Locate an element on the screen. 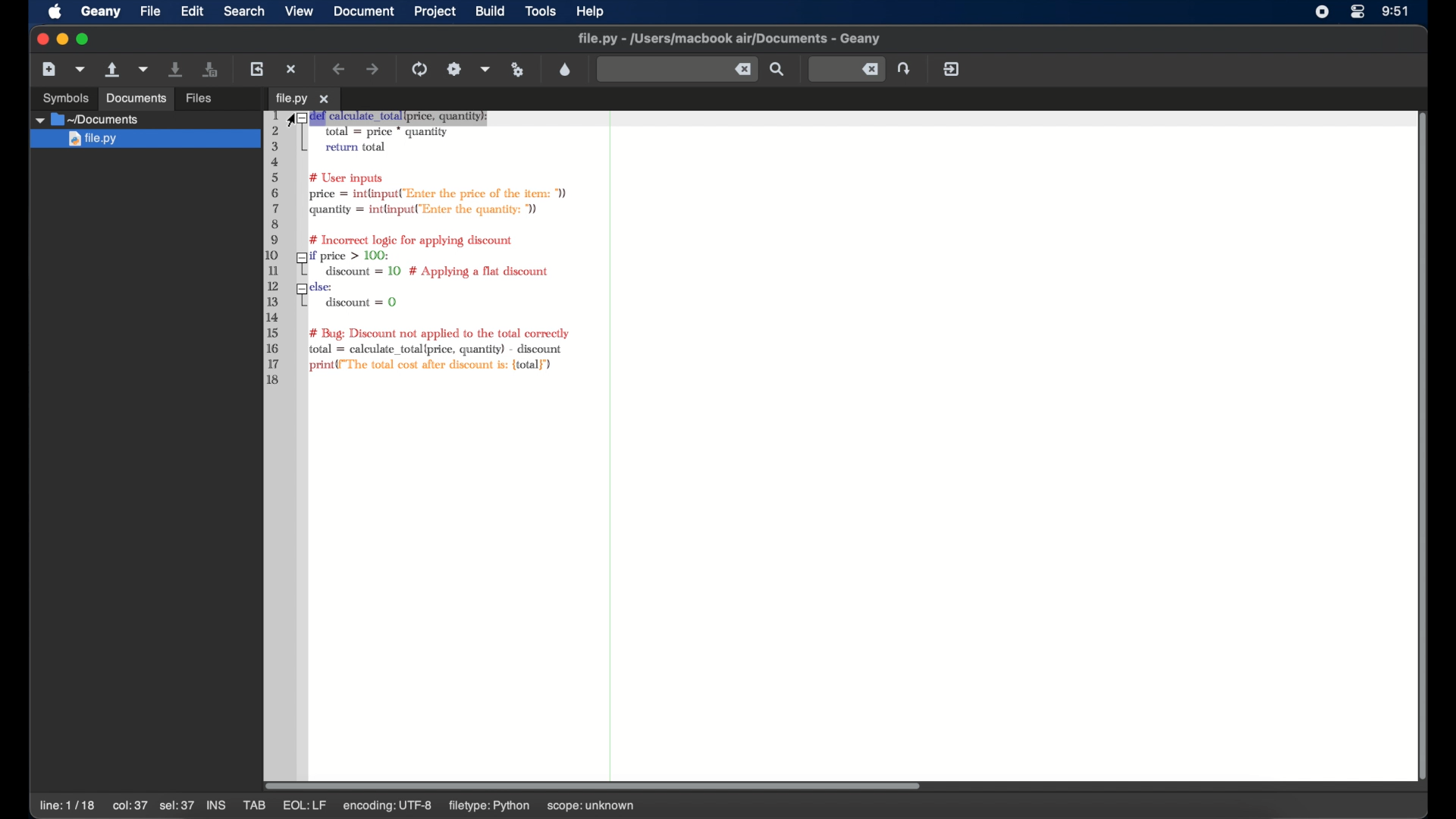  geany is located at coordinates (100, 12).